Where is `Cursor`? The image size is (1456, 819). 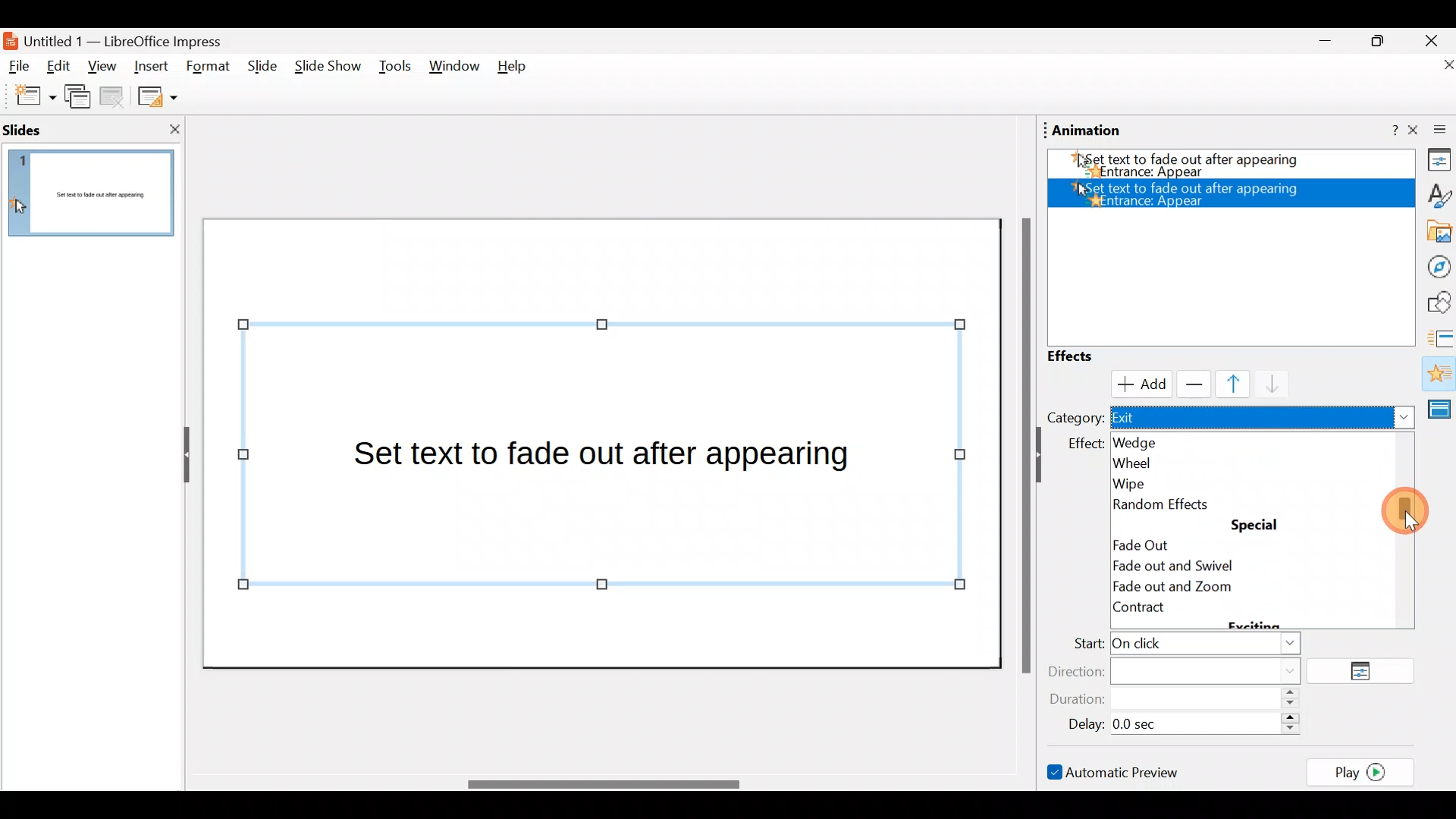 Cursor is located at coordinates (1396, 513).